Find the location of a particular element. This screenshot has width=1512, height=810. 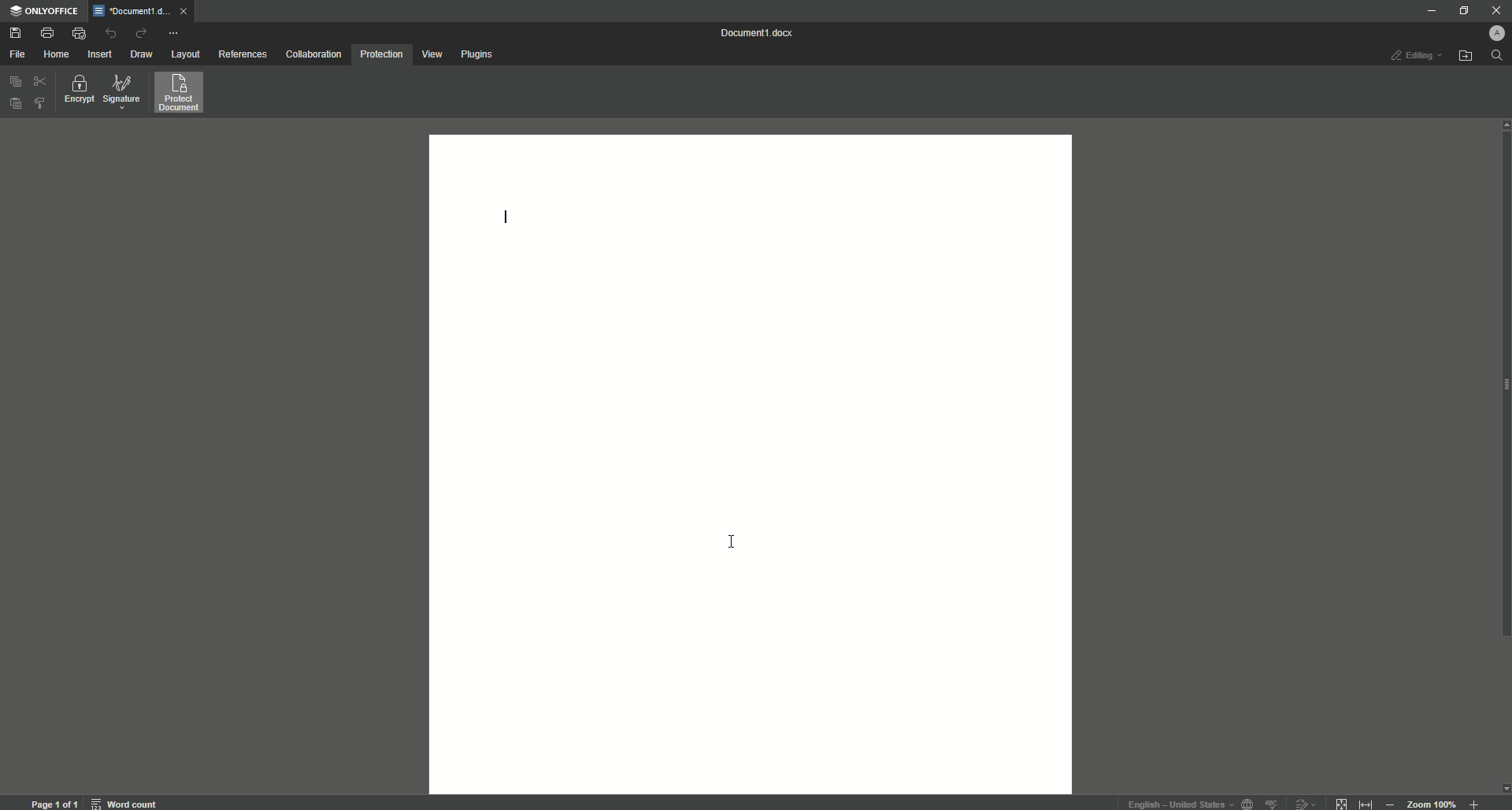

word count is located at coordinates (128, 801).